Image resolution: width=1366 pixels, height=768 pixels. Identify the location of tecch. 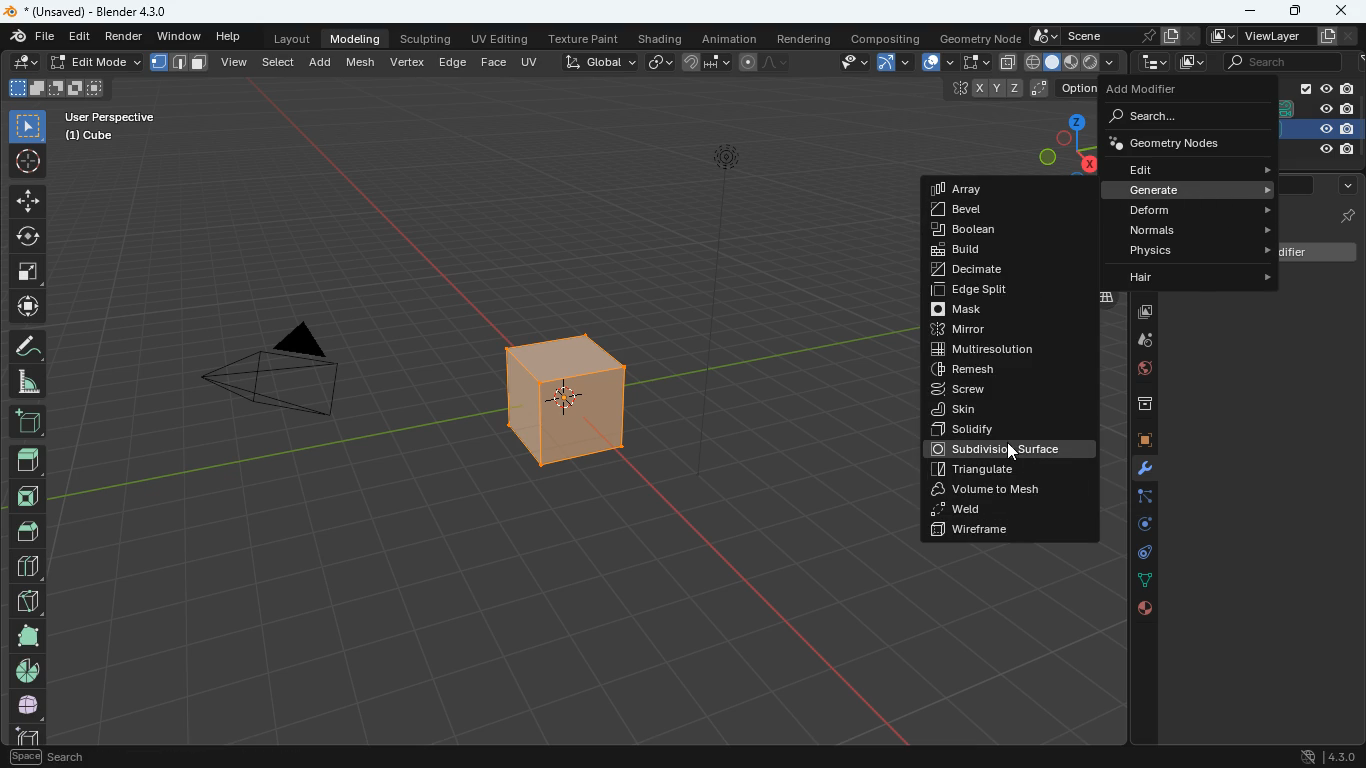
(1152, 62).